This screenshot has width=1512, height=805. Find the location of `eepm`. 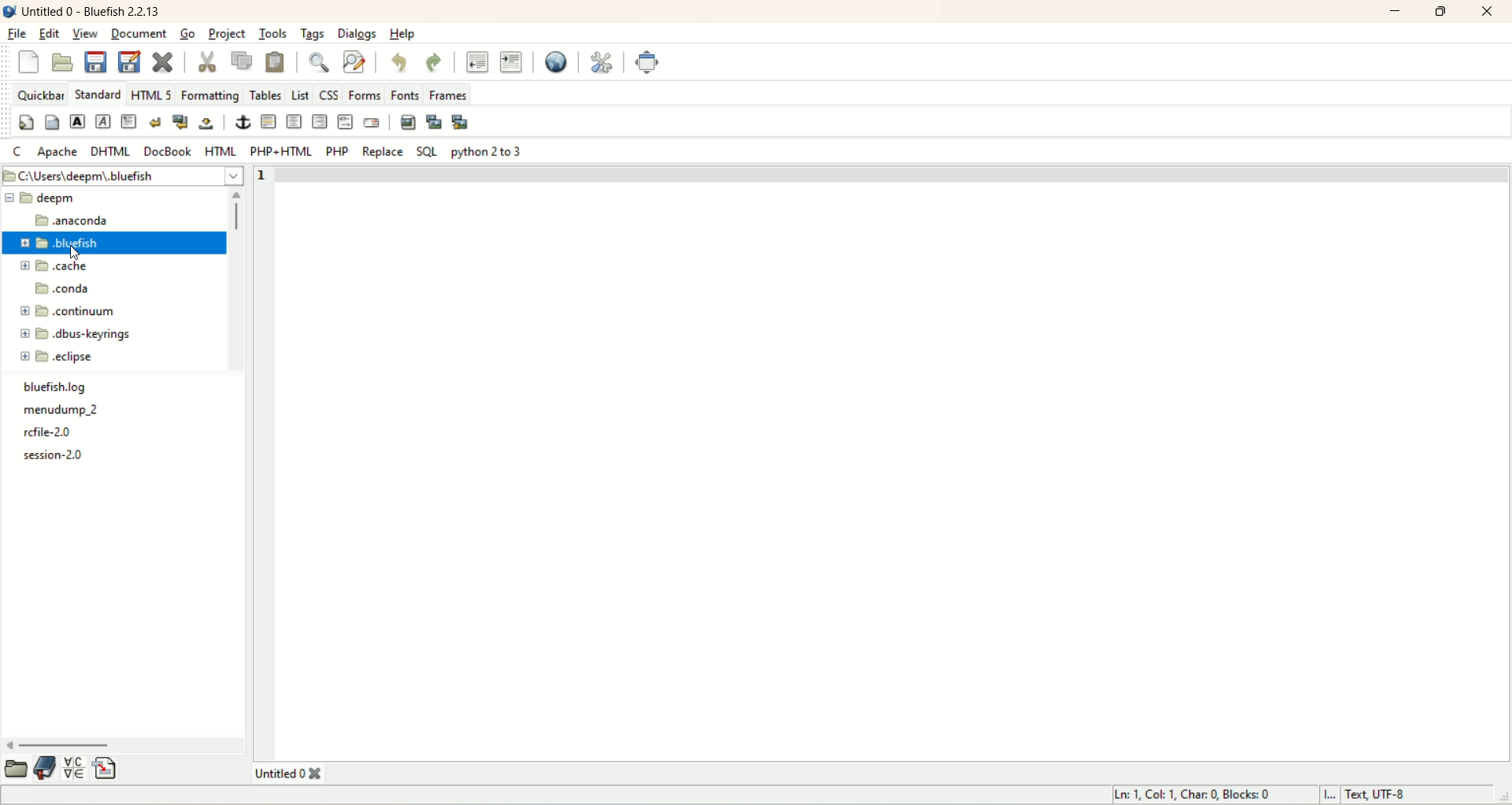

eepm is located at coordinates (45, 199).